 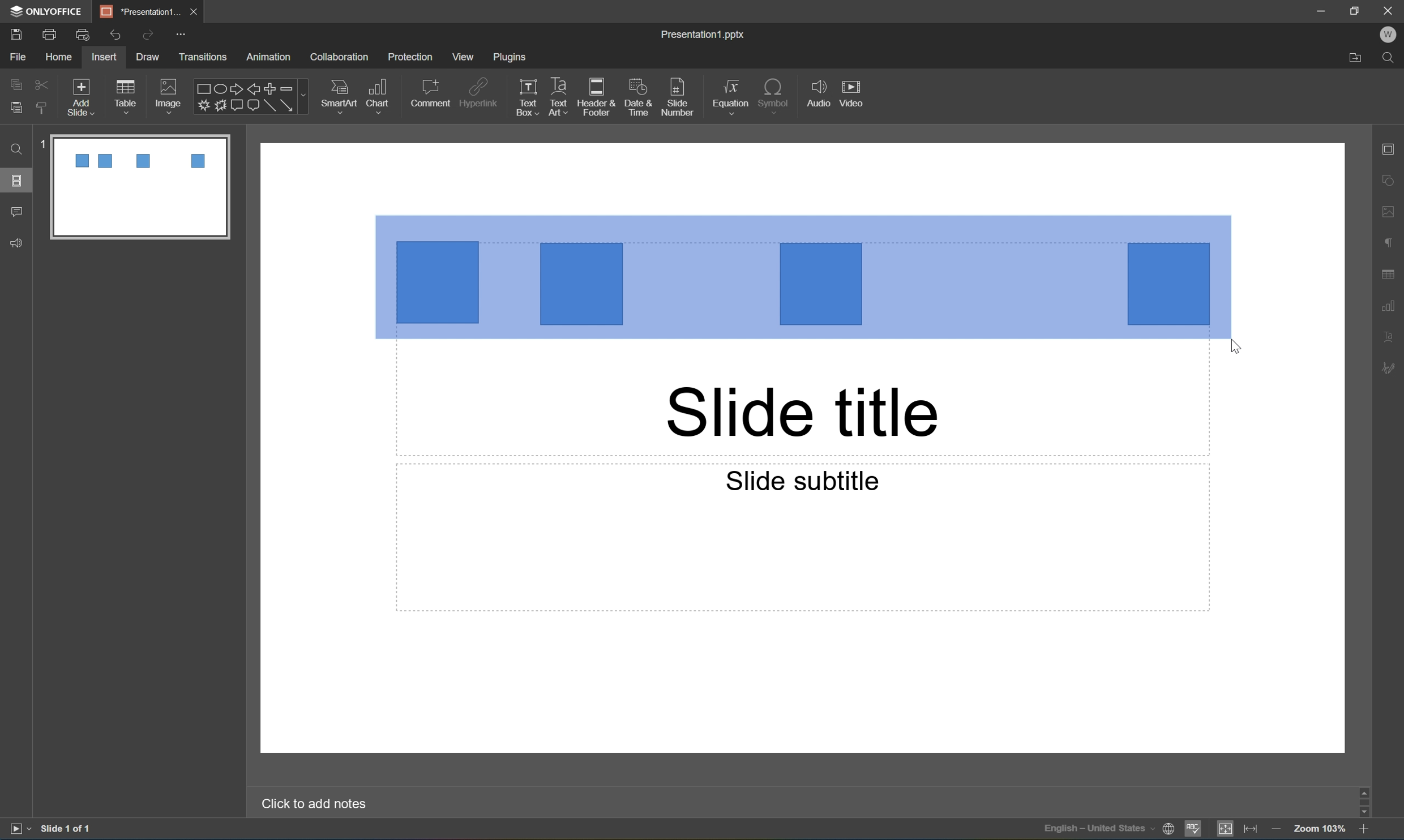 What do you see at coordinates (66, 830) in the screenshot?
I see `slide 1 of 1` at bounding box center [66, 830].